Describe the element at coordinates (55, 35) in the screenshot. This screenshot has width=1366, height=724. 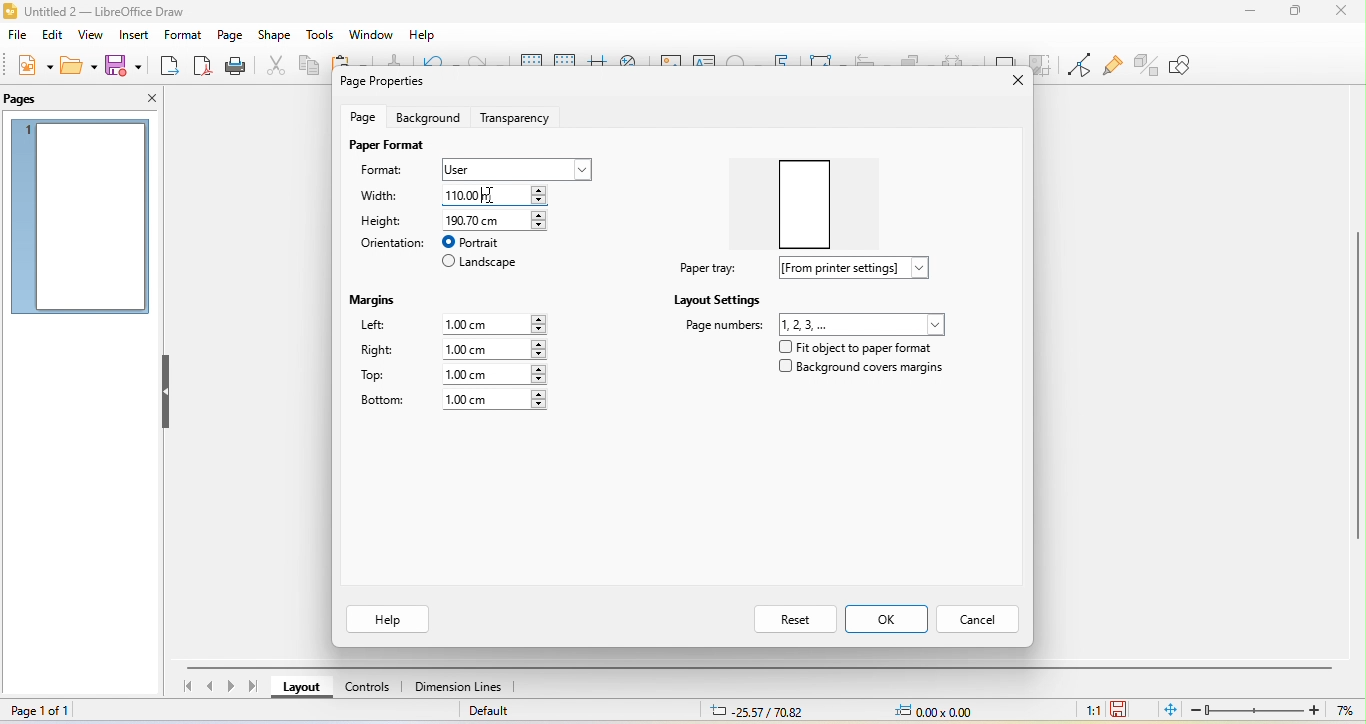
I see `edit` at that location.